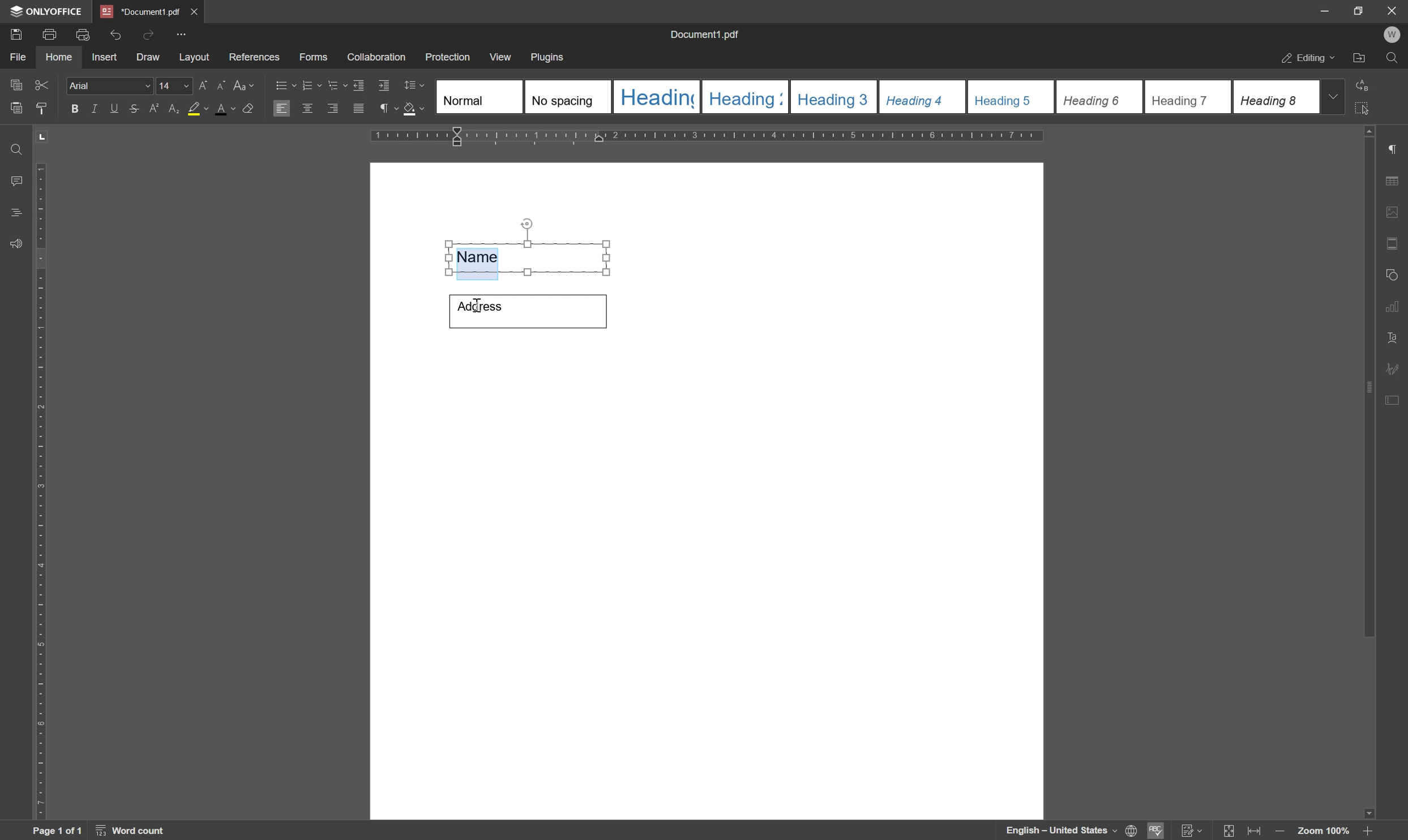 This screenshot has width=1408, height=840. What do you see at coordinates (414, 85) in the screenshot?
I see `line spacing` at bounding box center [414, 85].